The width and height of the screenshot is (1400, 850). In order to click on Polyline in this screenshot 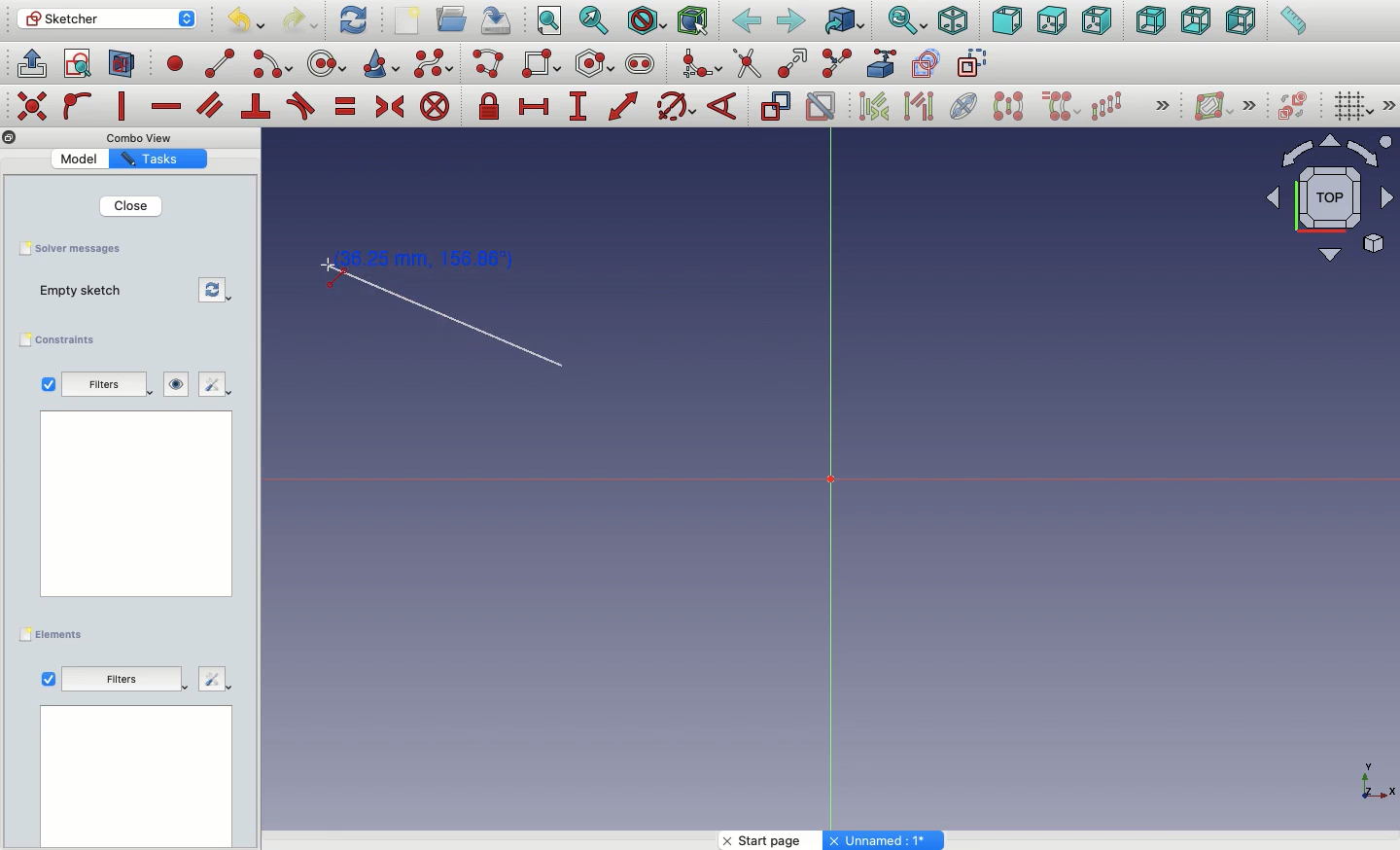, I will do `click(492, 64)`.